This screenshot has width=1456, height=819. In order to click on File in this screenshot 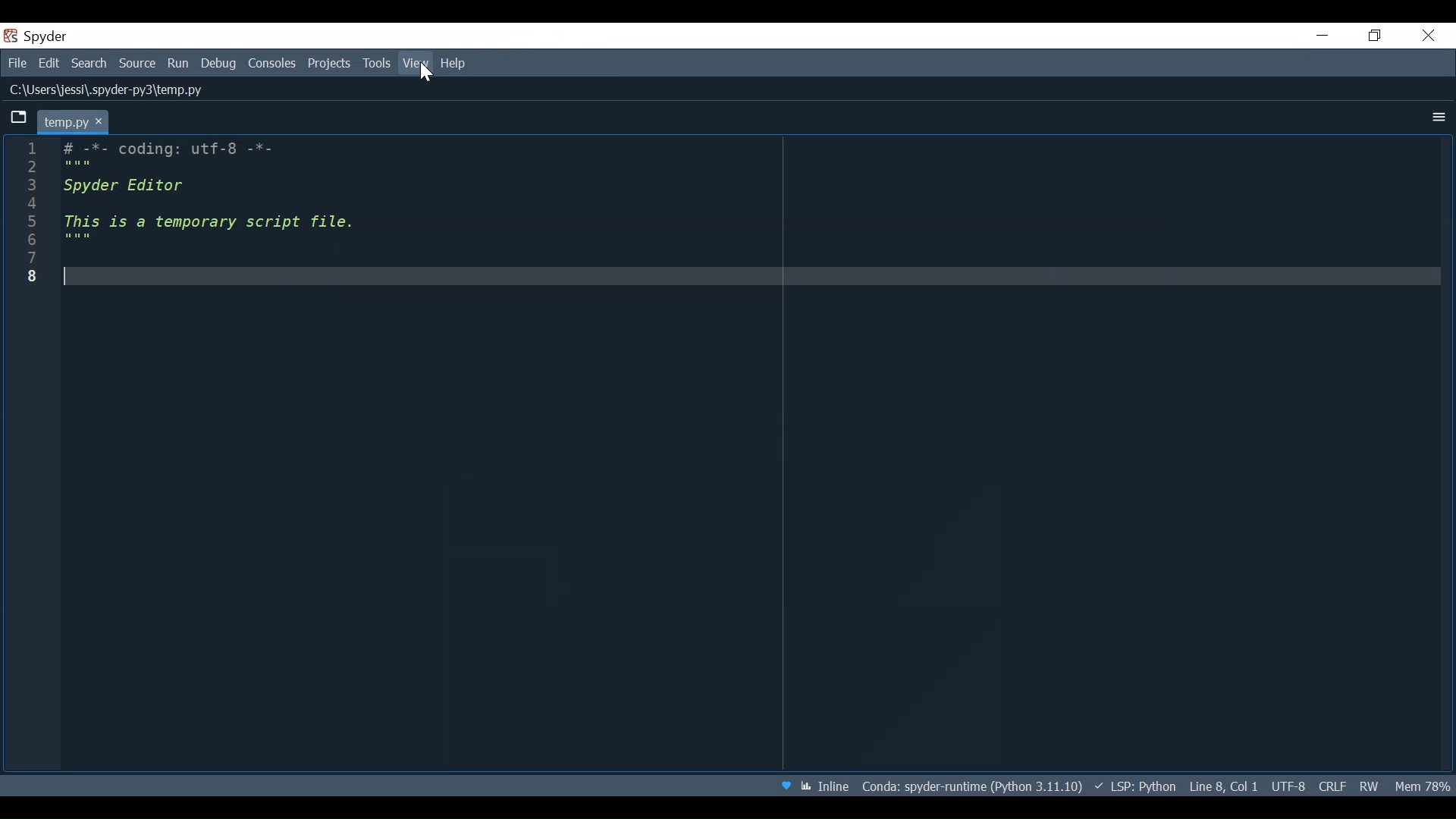, I will do `click(17, 64)`.